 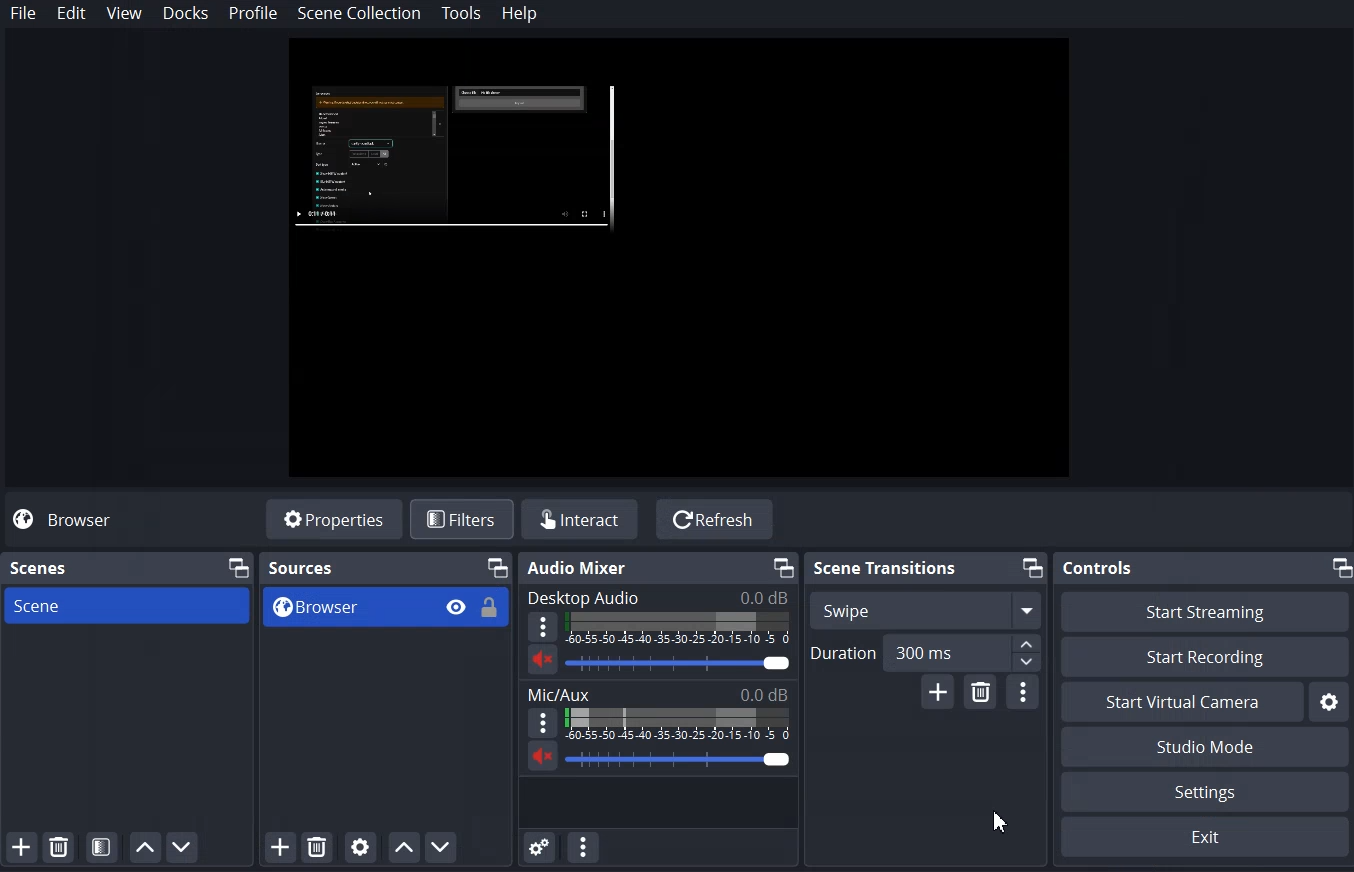 I want to click on Maximize, so click(x=1032, y=567).